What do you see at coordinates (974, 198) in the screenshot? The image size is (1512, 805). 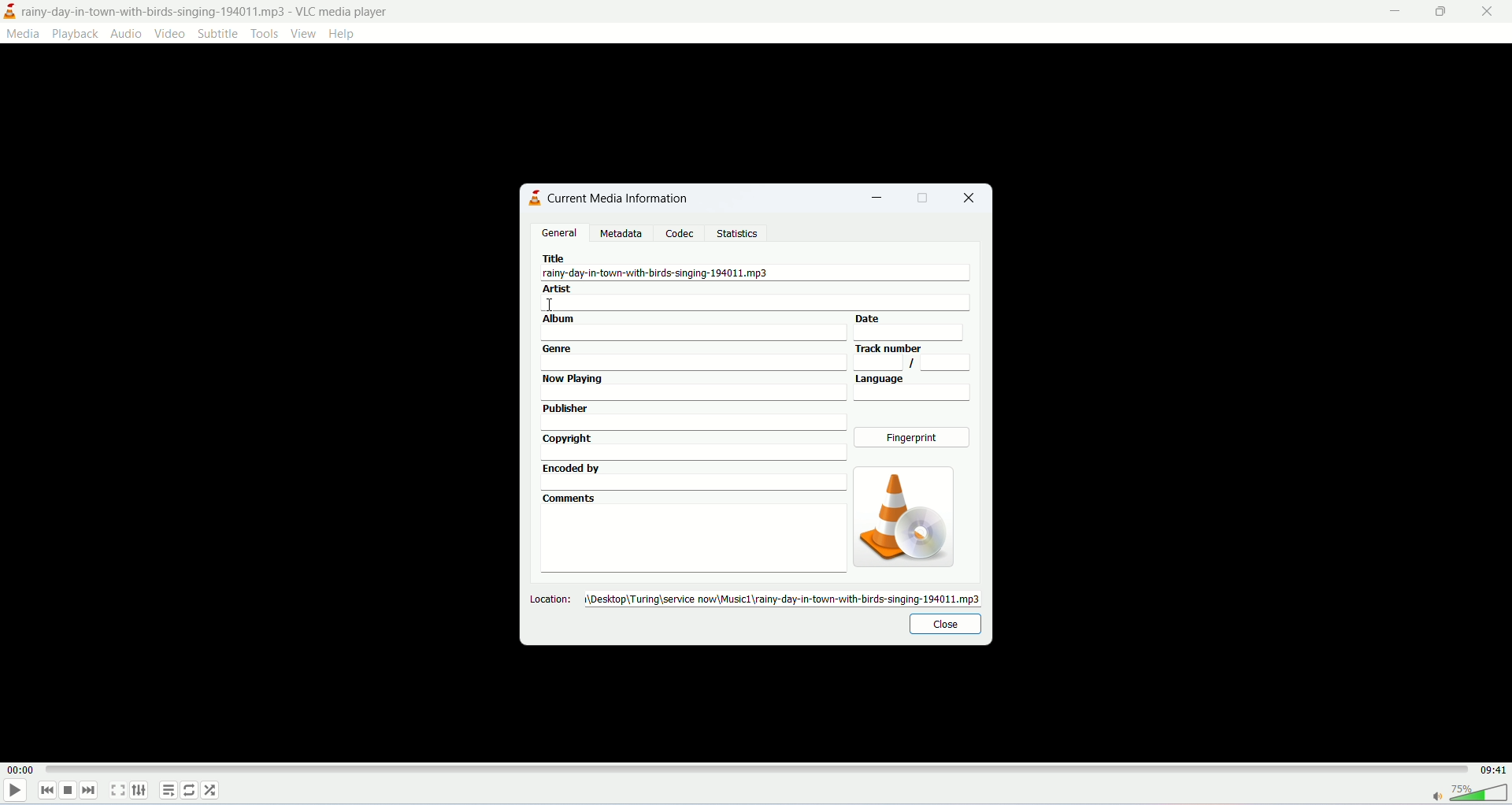 I see `close` at bounding box center [974, 198].